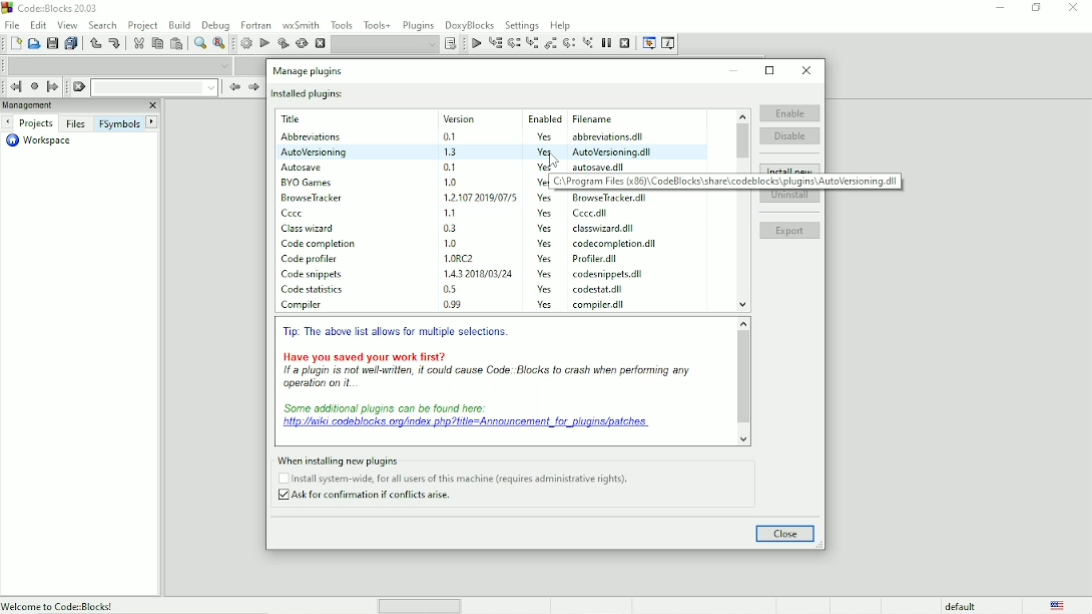  What do you see at coordinates (548, 245) in the screenshot?
I see `Yes` at bounding box center [548, 245].